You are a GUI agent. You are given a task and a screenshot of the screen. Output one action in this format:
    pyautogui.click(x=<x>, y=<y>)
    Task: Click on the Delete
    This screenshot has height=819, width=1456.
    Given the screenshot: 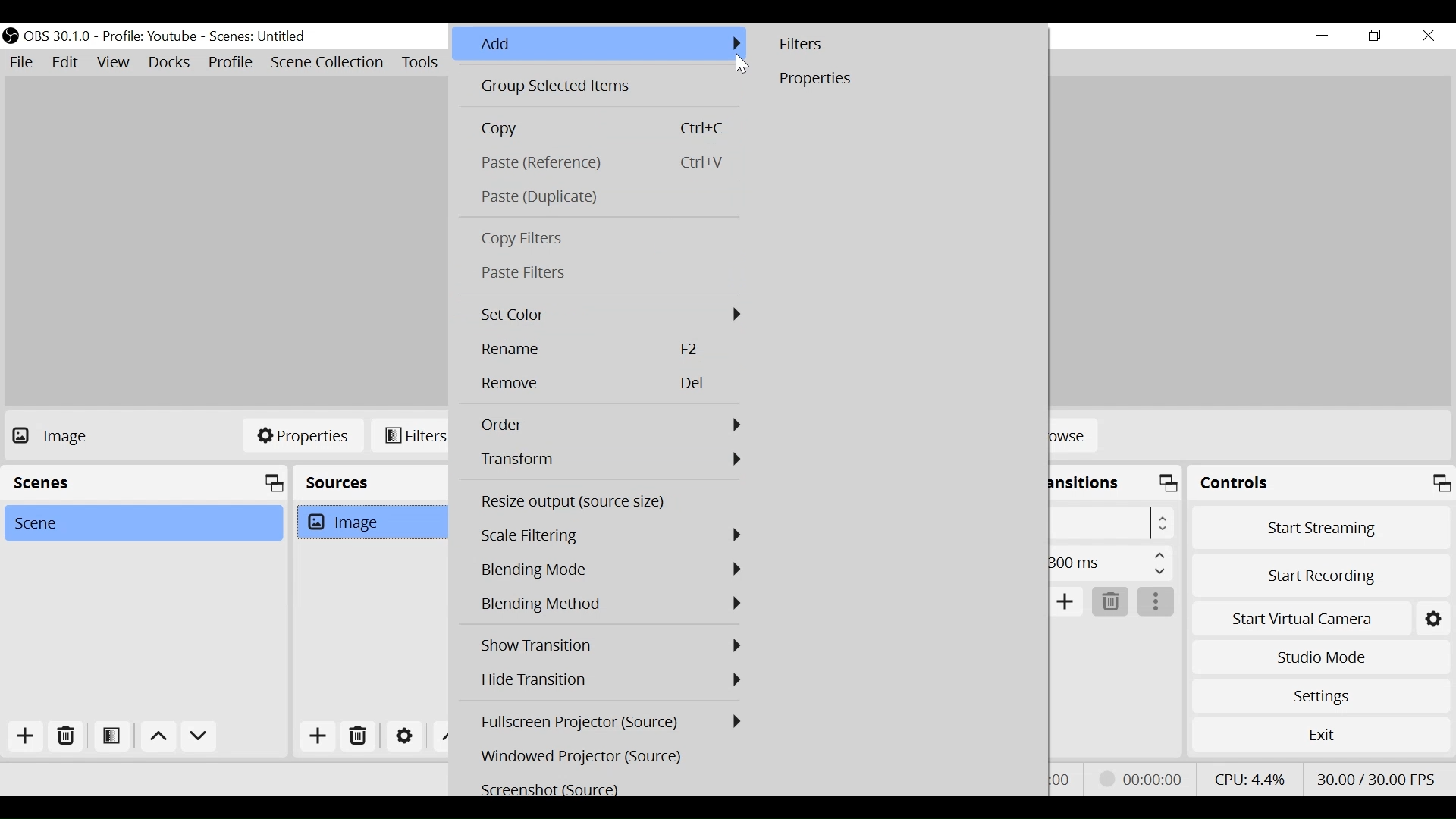 What is the action you would take?
    pyautogui.click(x=1109, y=602)
    